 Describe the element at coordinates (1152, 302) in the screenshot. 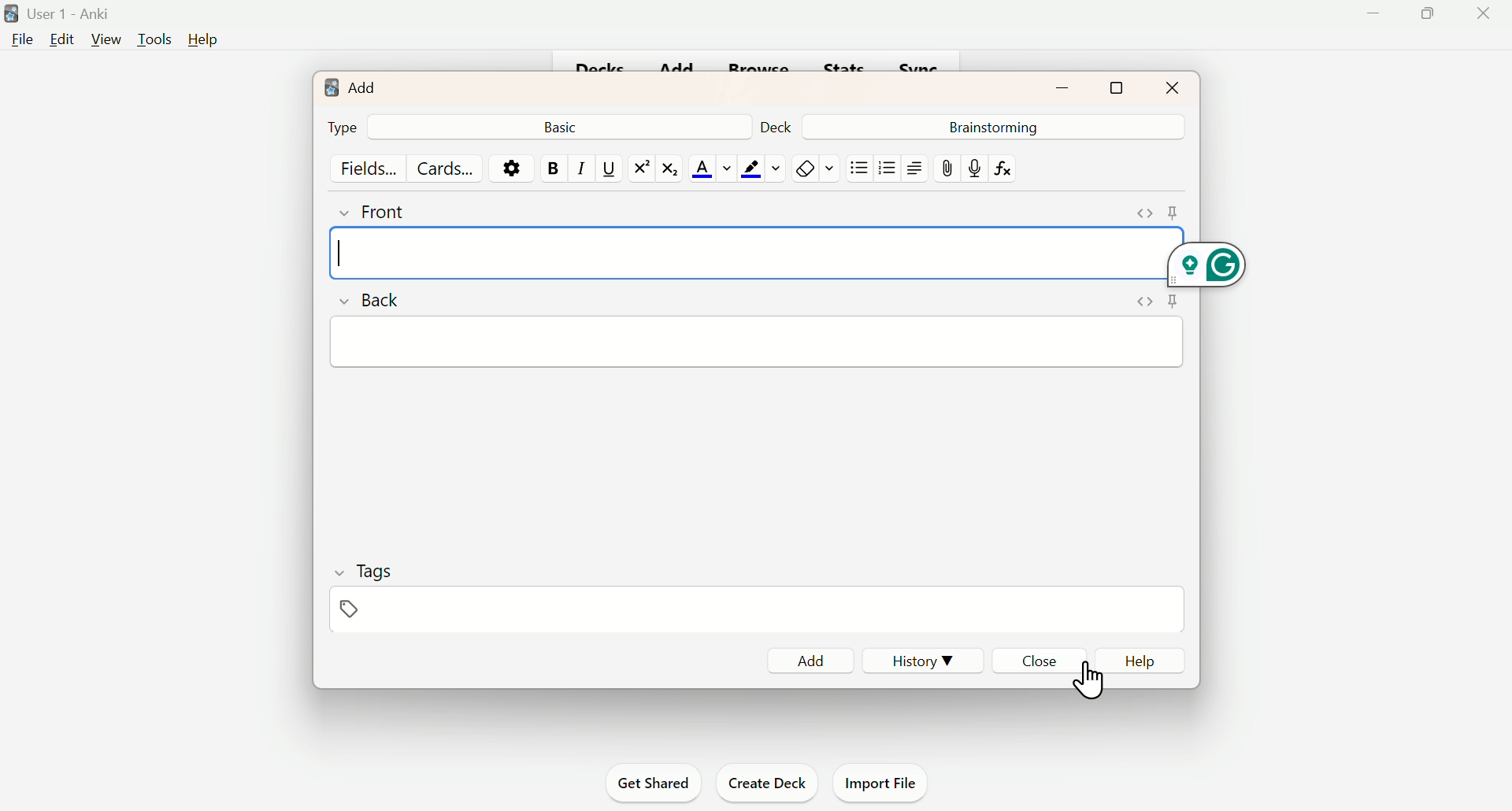

I see `Pins` at that location.